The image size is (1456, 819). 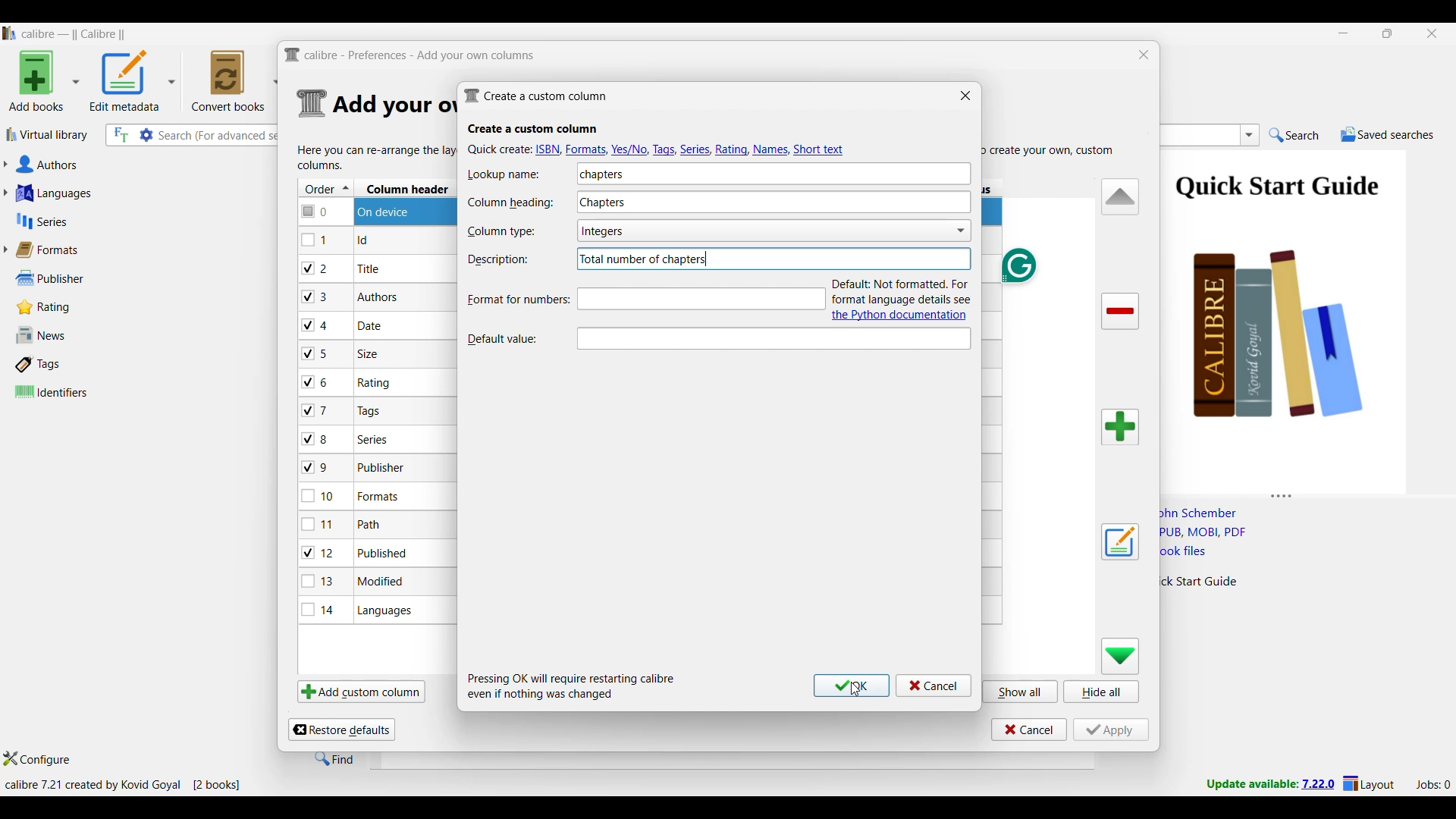 I want to click on Change height of columns attached to this panel, so click(x=1307, y=493).